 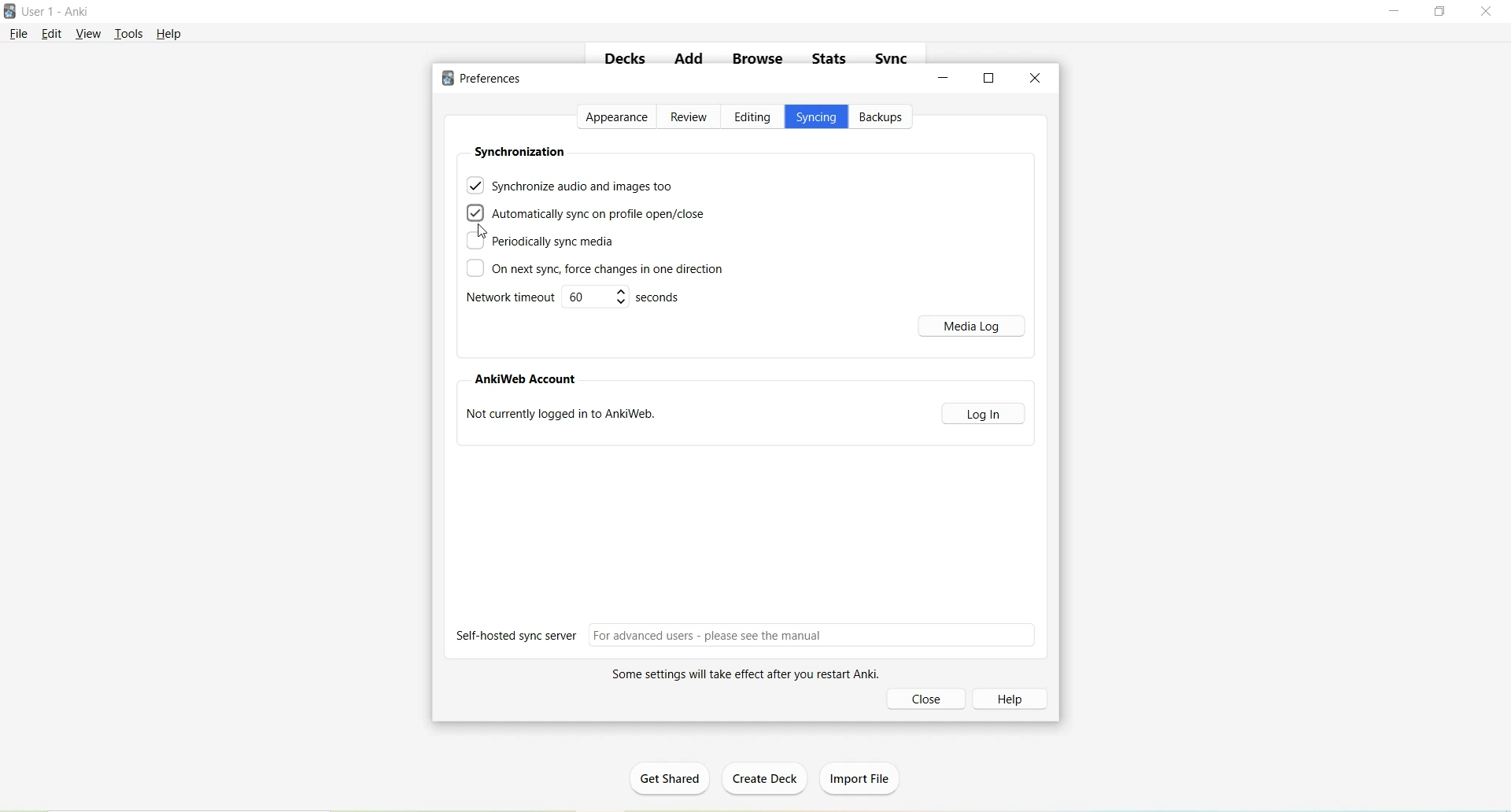 What do you see at coordinates (566, 417) in the screenshot?
I see `Not currently logged in to Ankiweb` at bounding box center [566, 417].